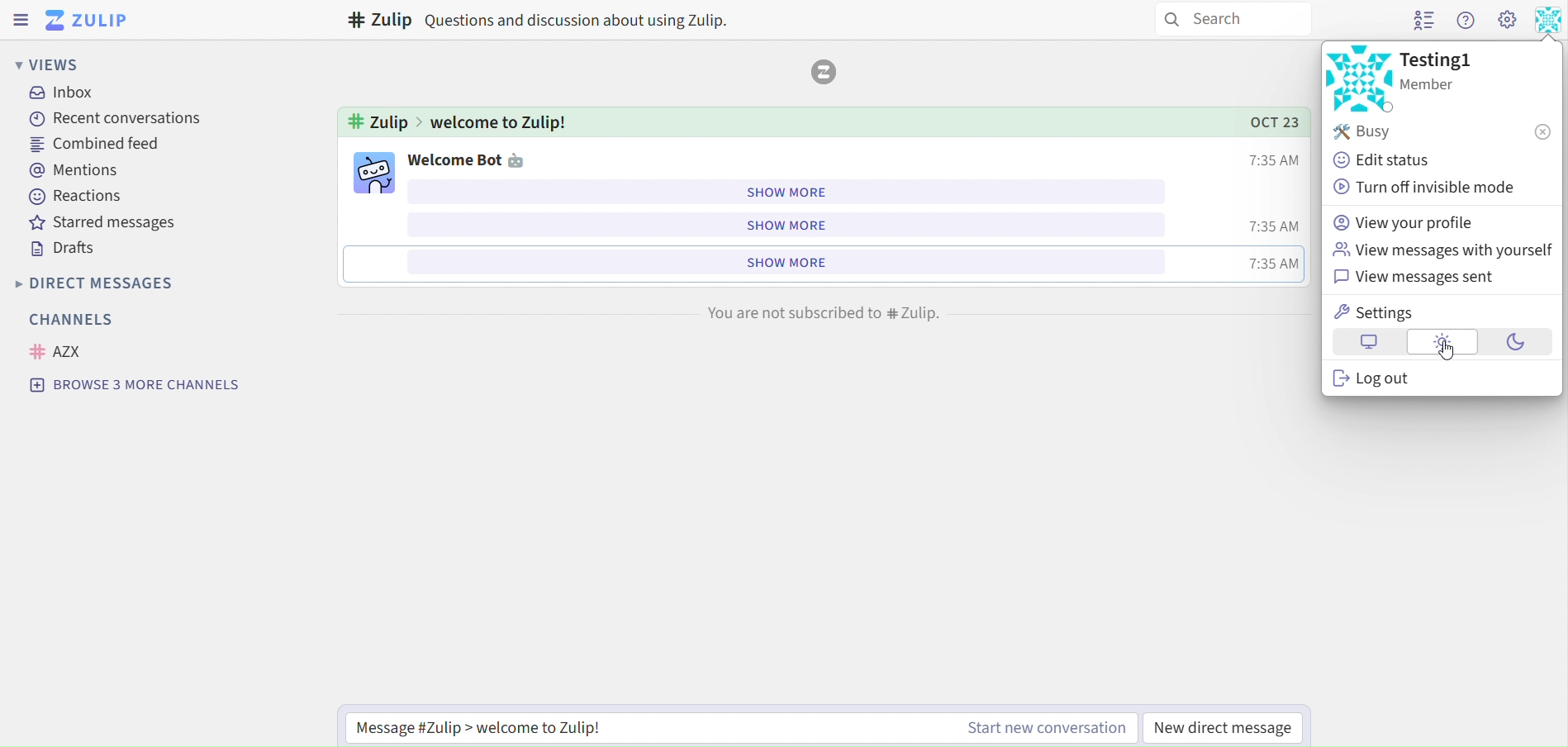  What do you see at coordinates (1230, 21) in the screenshot?
I see `search ` at bounding box center [1230, 21].